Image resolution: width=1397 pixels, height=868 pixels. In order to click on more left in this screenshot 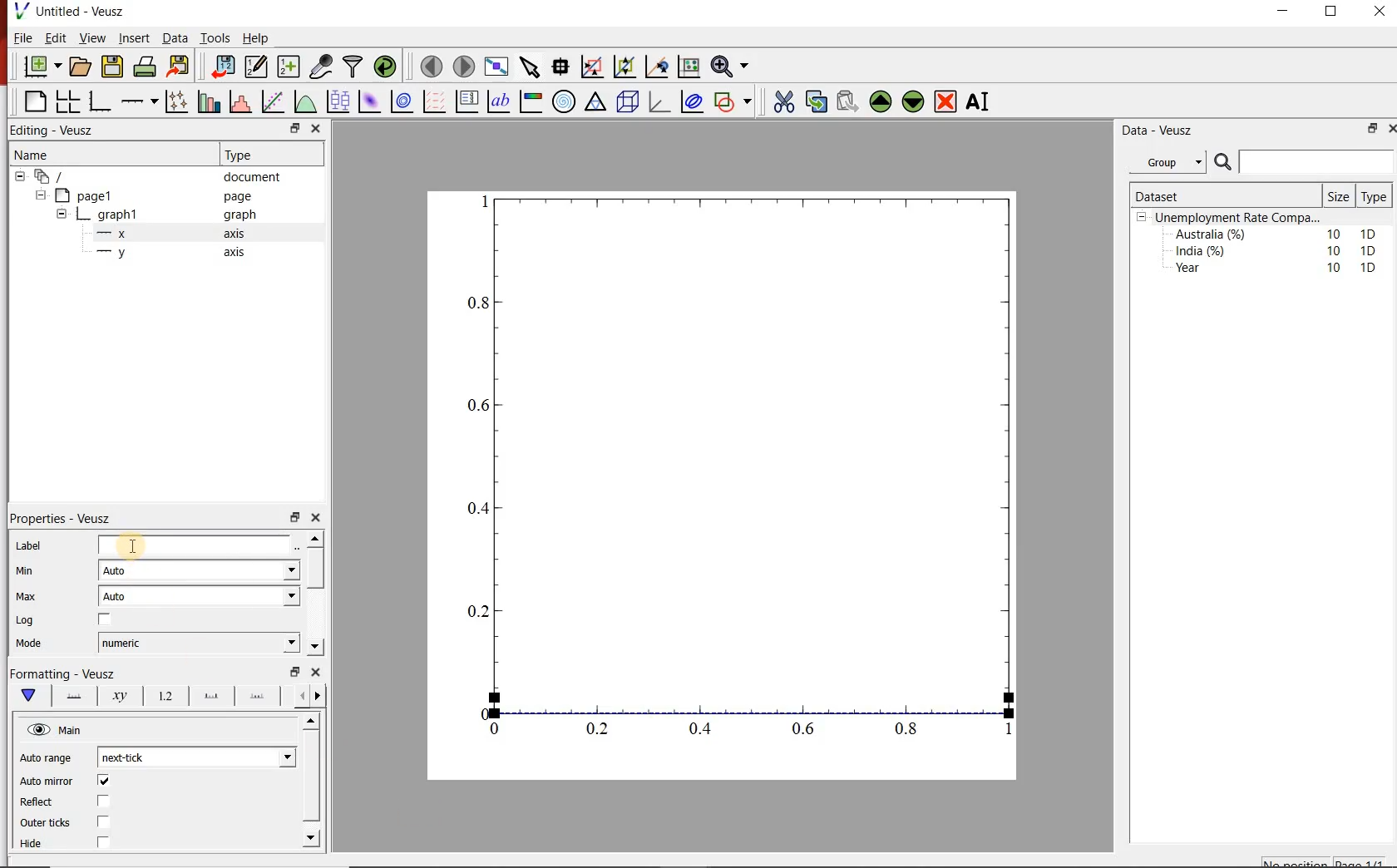, I will do `click(299, 695)`.